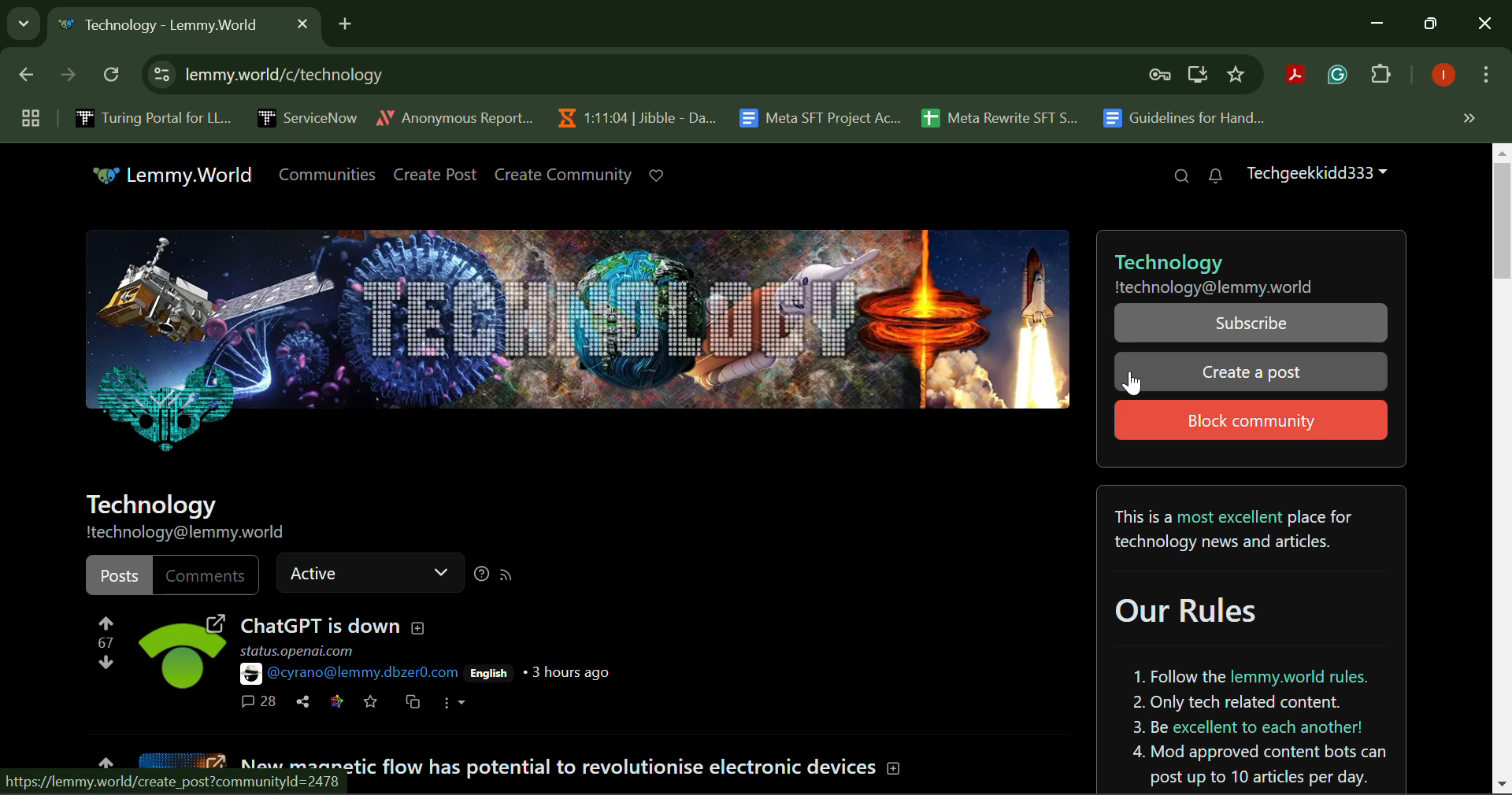 The width and height of the screenshot is (1512, 795). What do you see at coordinates (1341, 76) in the screenshot?
I see `Browser Extension` at bounding box center [1341, 76].